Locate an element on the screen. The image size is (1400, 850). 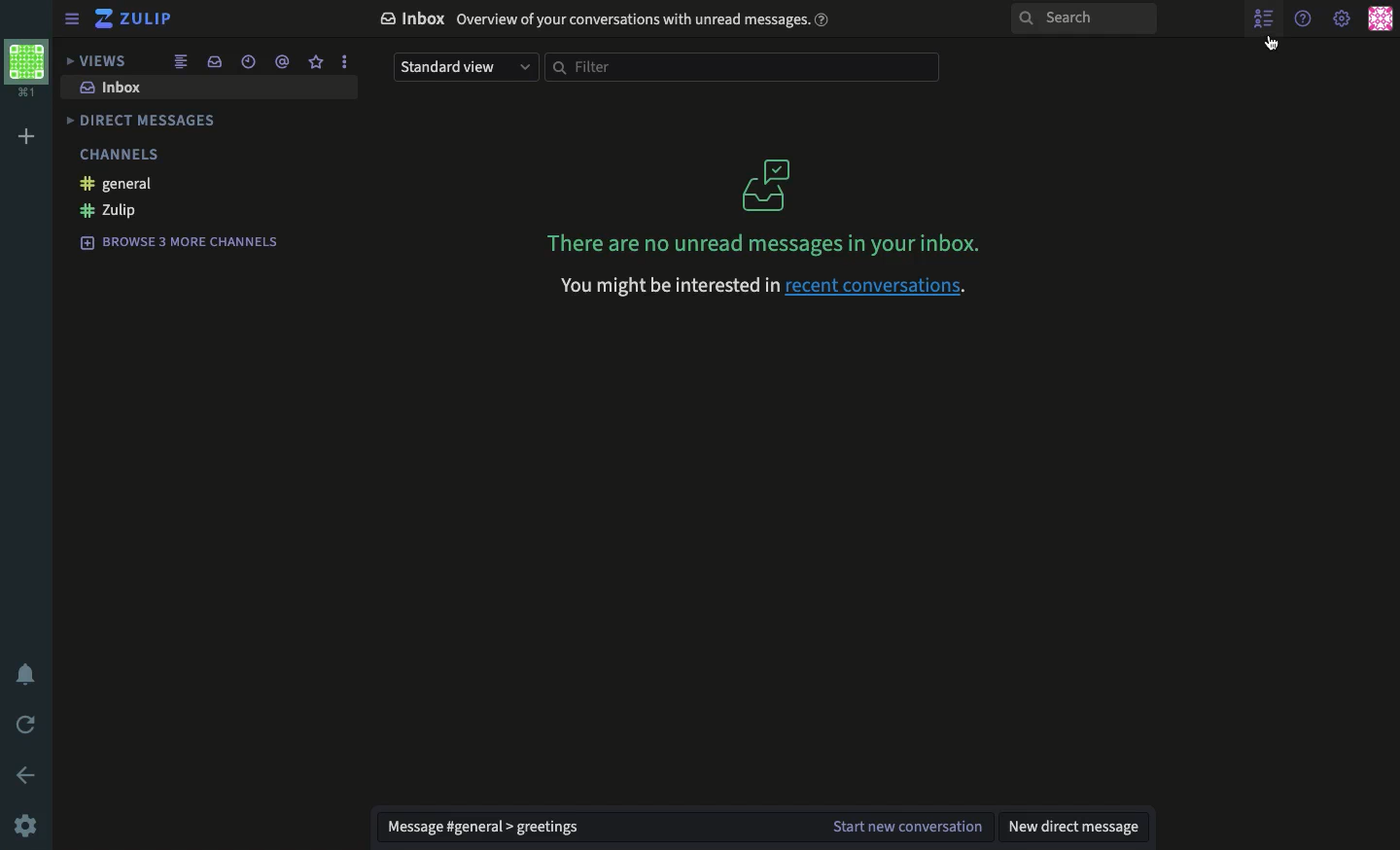
recent conversations is located at coordinates (249, 61).